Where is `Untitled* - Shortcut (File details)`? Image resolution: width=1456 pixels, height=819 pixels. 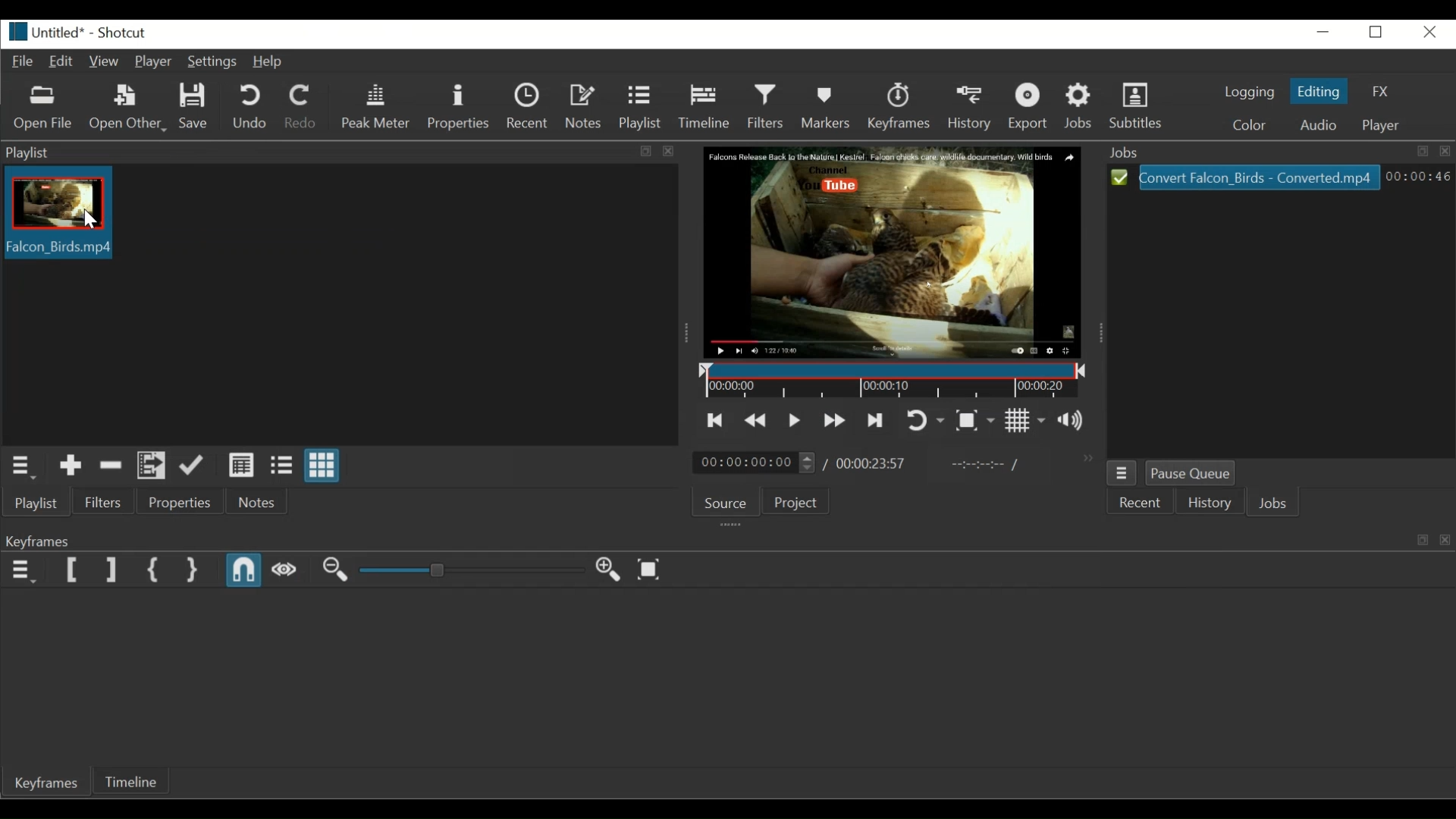 Untitled* - Shortcut (File details) is located at coordinates (75, 31).